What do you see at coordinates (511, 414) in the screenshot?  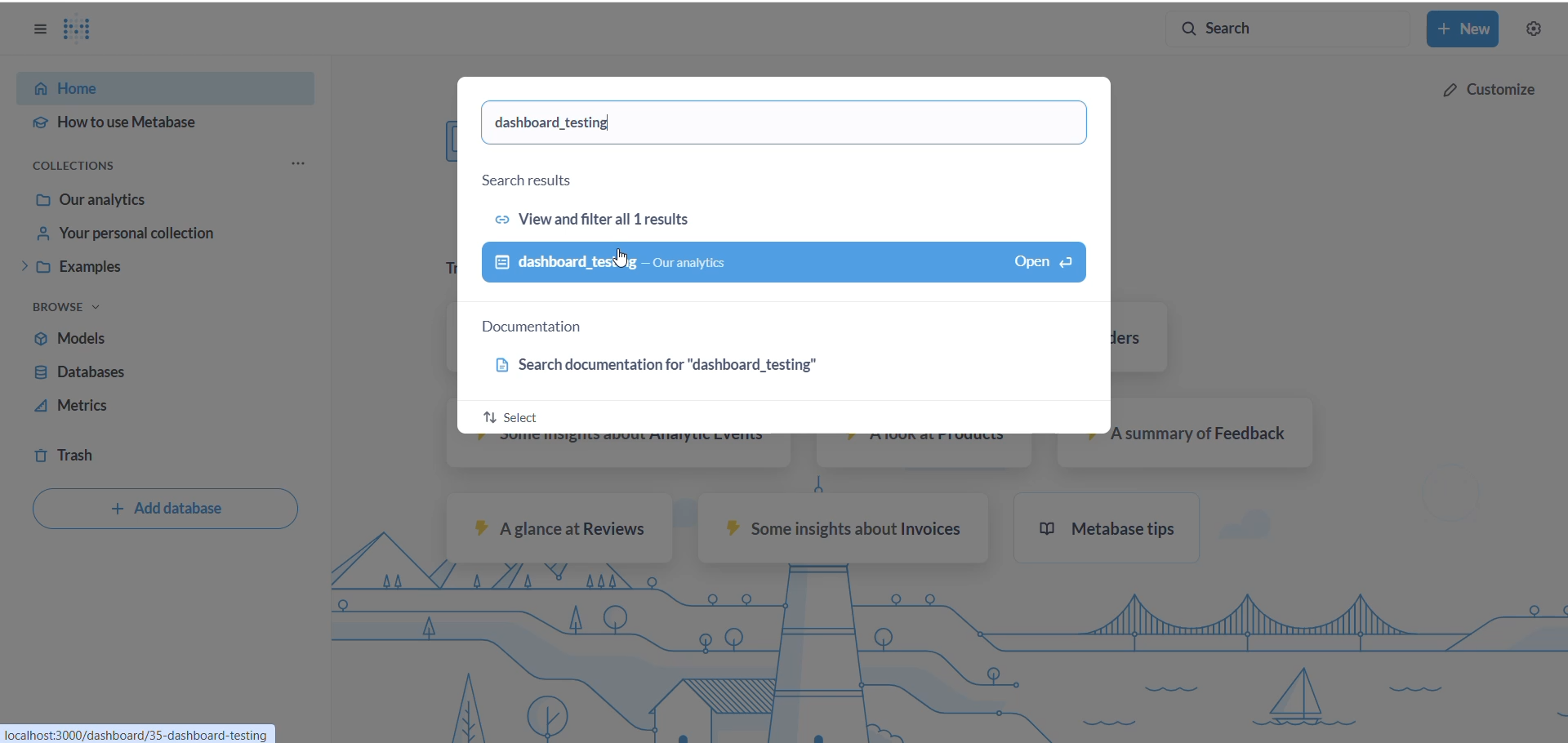 I see `select` at bounding box center [511, 414].